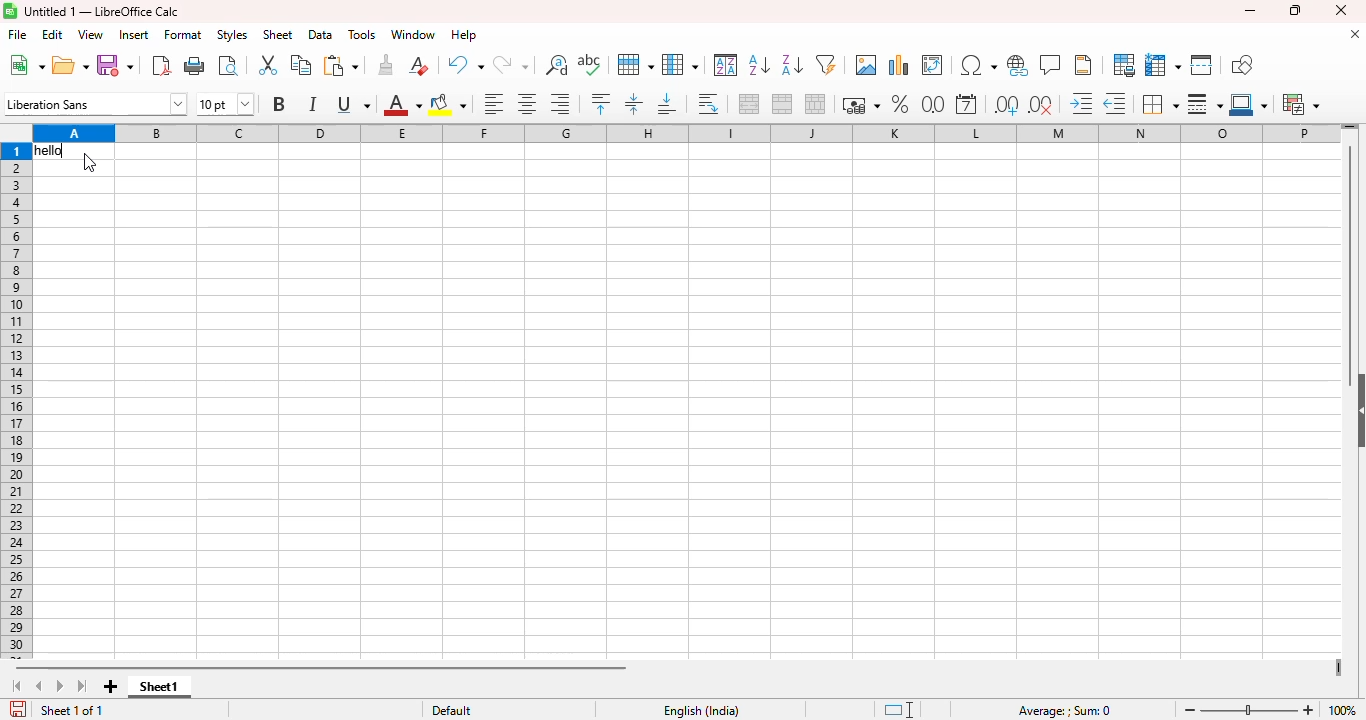  Describe the element at coordinates (1293, 11) in the screenshot. I see `maximize` at that location.